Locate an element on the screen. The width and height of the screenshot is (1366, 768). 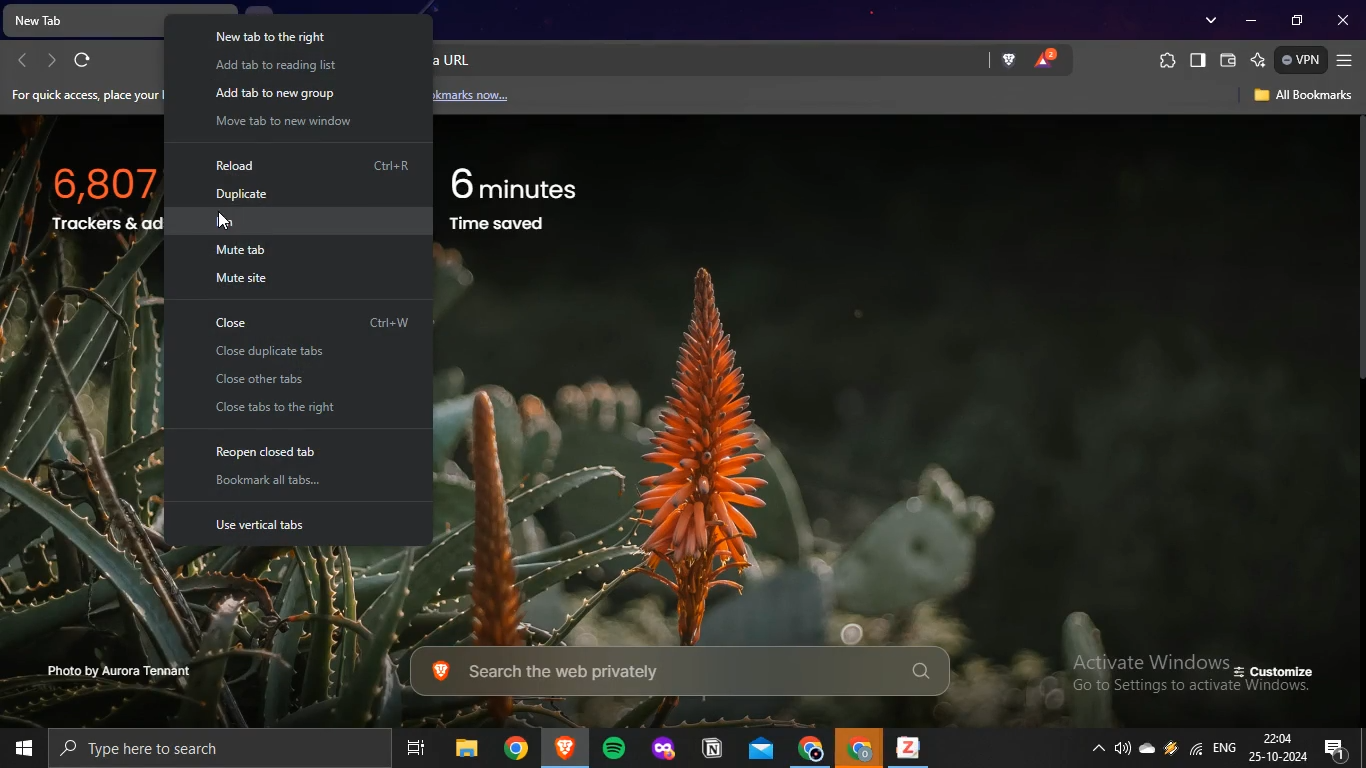
google chrome is located at coordinates (861, 749).